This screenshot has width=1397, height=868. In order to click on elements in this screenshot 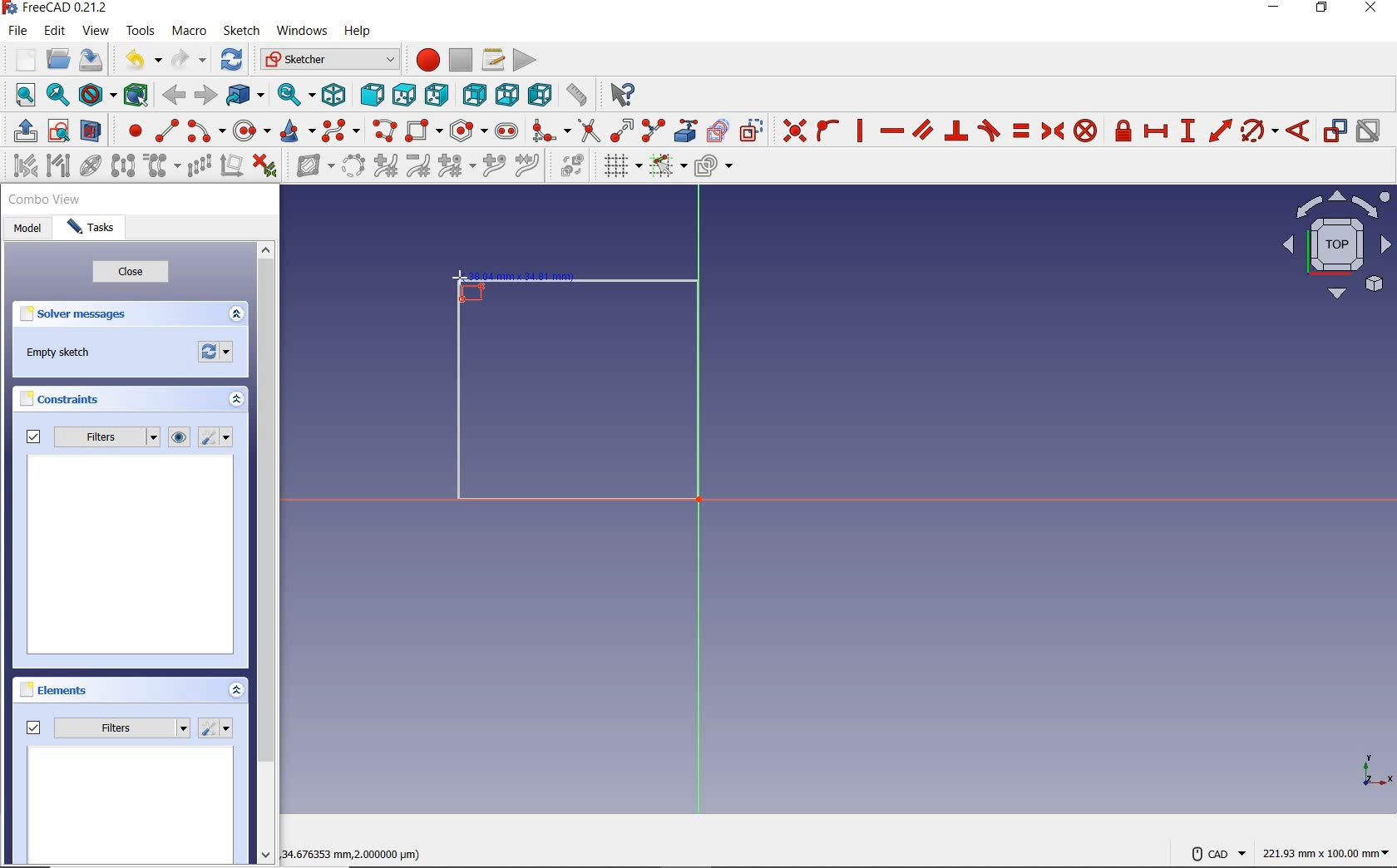, I will do `click(55, 689)`.